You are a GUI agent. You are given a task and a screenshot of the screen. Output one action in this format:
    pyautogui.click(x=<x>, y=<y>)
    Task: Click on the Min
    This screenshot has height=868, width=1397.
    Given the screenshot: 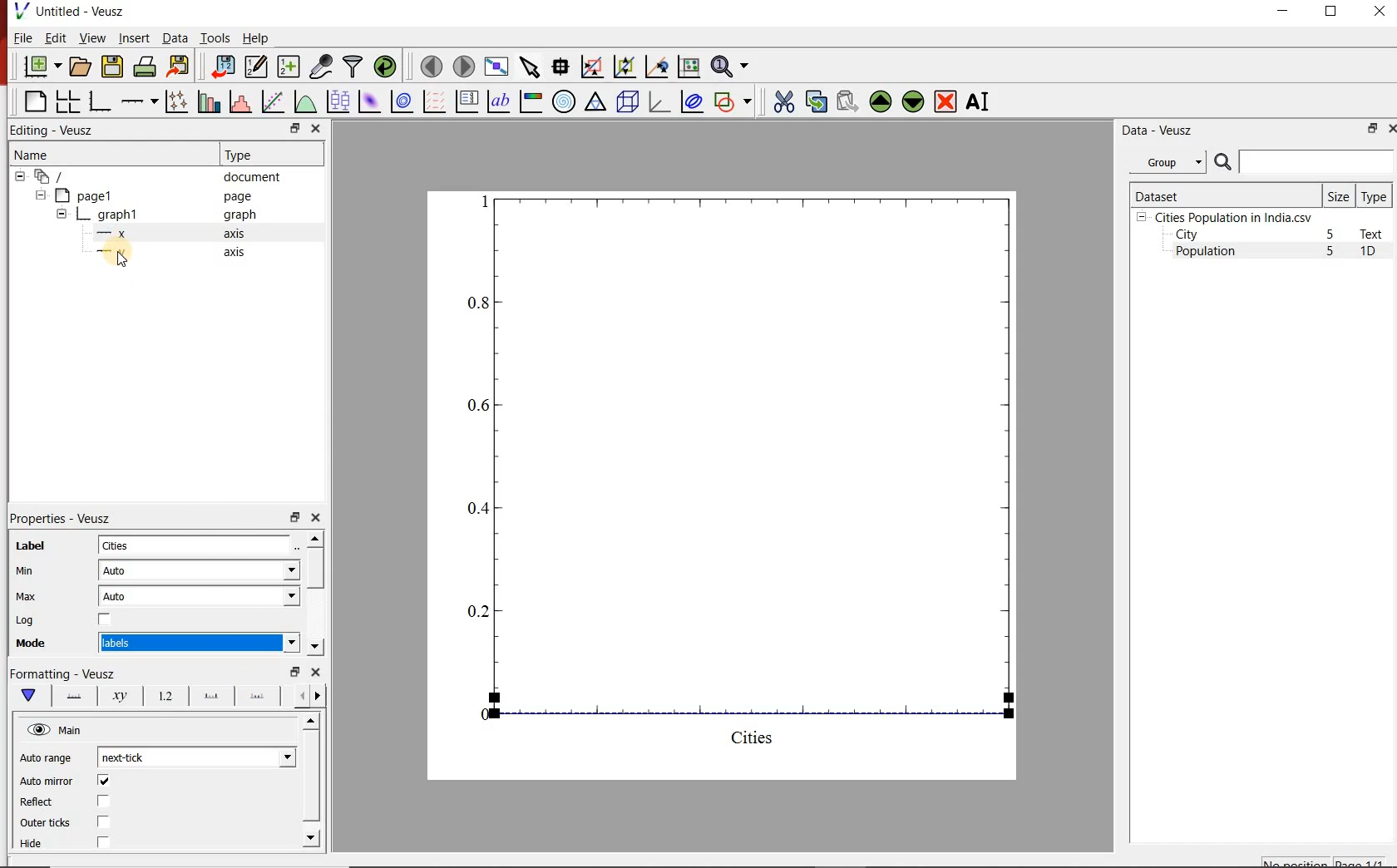 What is the action you would take?
    pyautogui.click(x=25, y=571)
    